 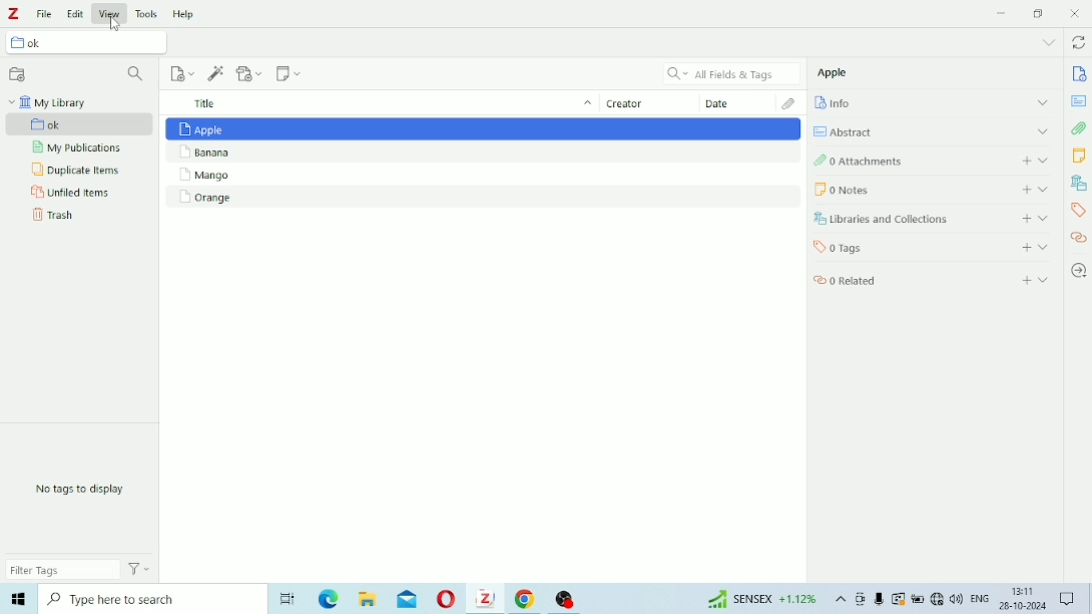 I want to click on Libraries and collections, so click(x=1079, y=183).